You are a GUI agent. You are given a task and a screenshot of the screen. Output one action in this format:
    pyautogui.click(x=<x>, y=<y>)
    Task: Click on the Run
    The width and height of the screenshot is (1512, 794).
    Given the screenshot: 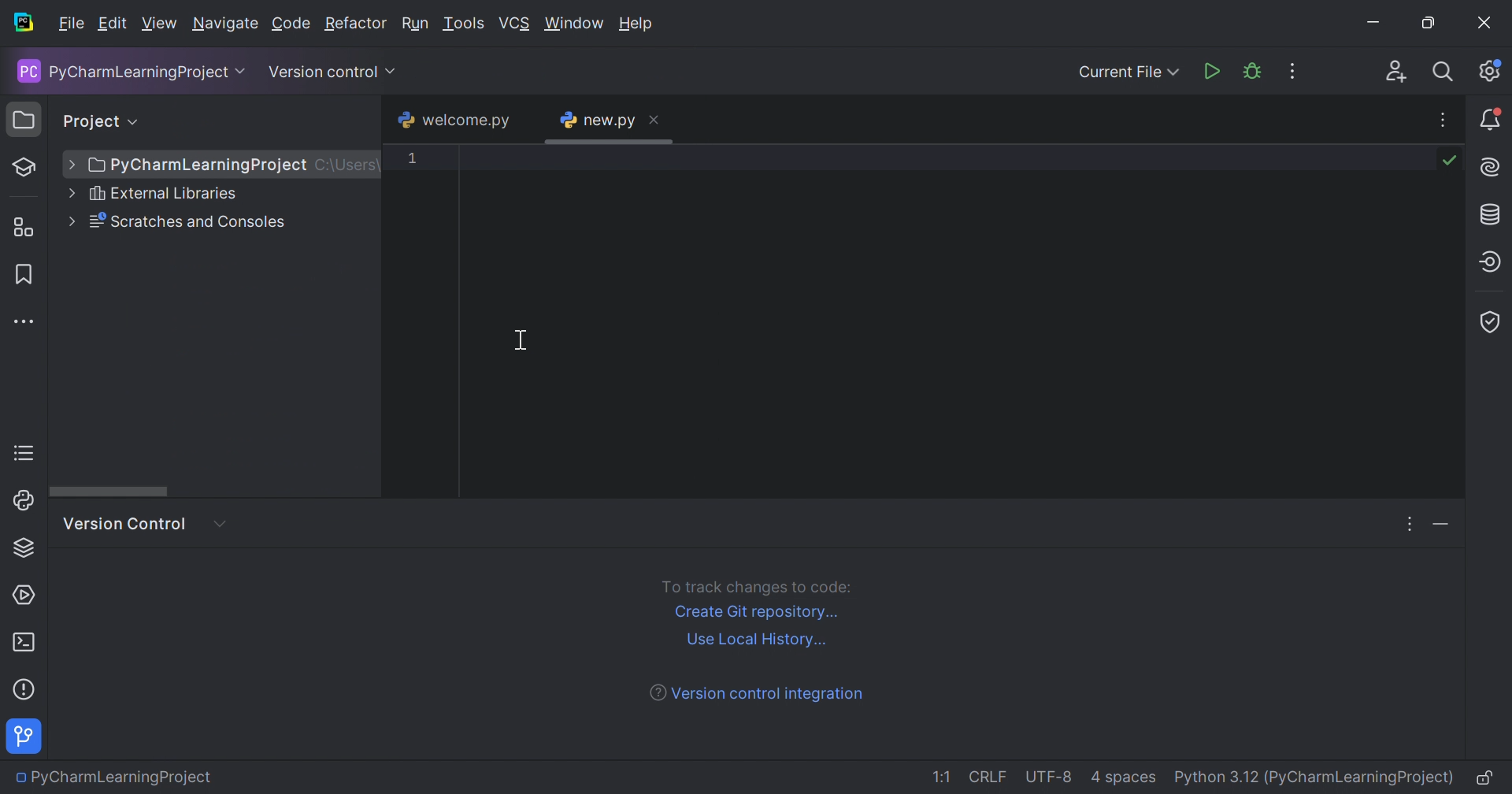 What is the action you would take?
    pyautogui.click(x=417, y=24)
    